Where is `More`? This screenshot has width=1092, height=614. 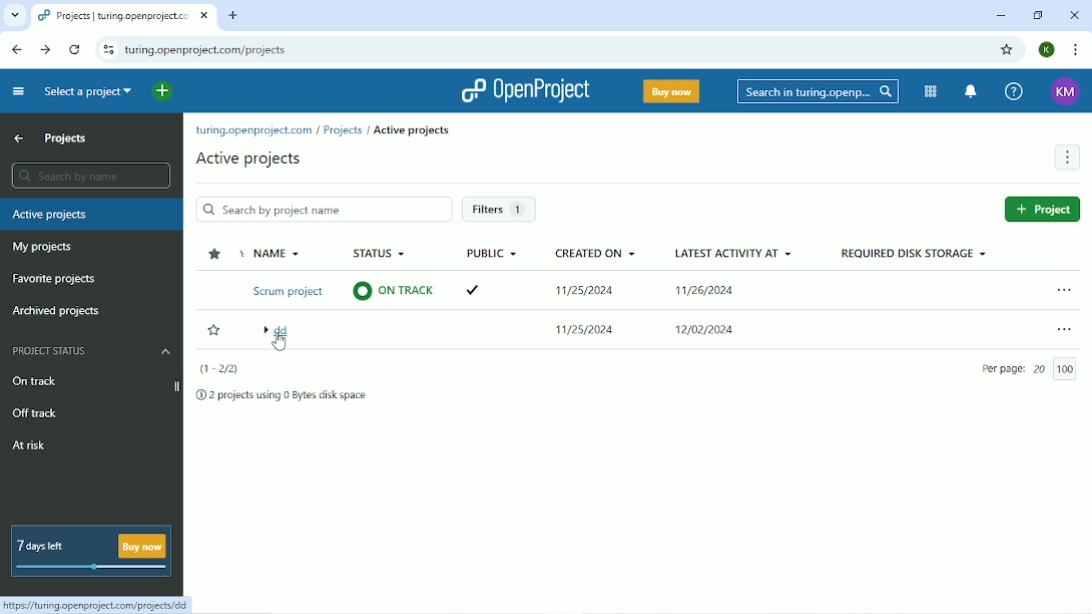 More is located at coordinates (1067, 158).